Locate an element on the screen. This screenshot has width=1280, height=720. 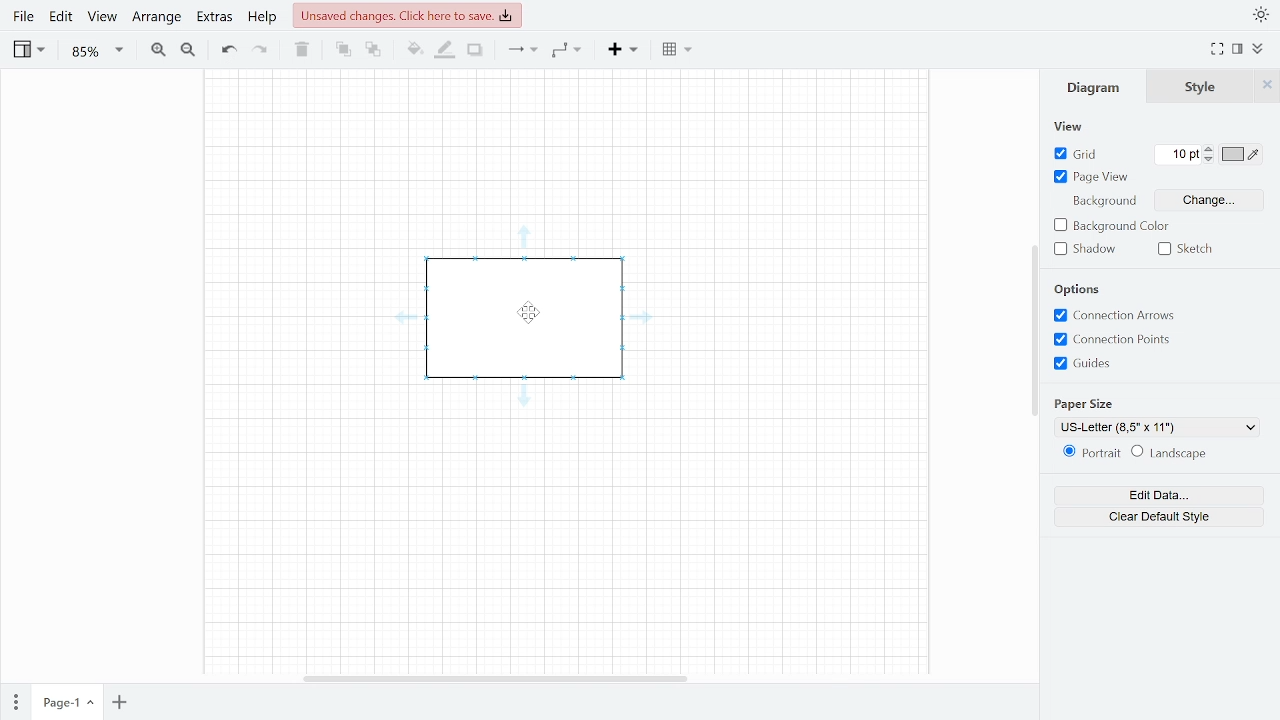
Grid color is located at coordinates (1241, 153).